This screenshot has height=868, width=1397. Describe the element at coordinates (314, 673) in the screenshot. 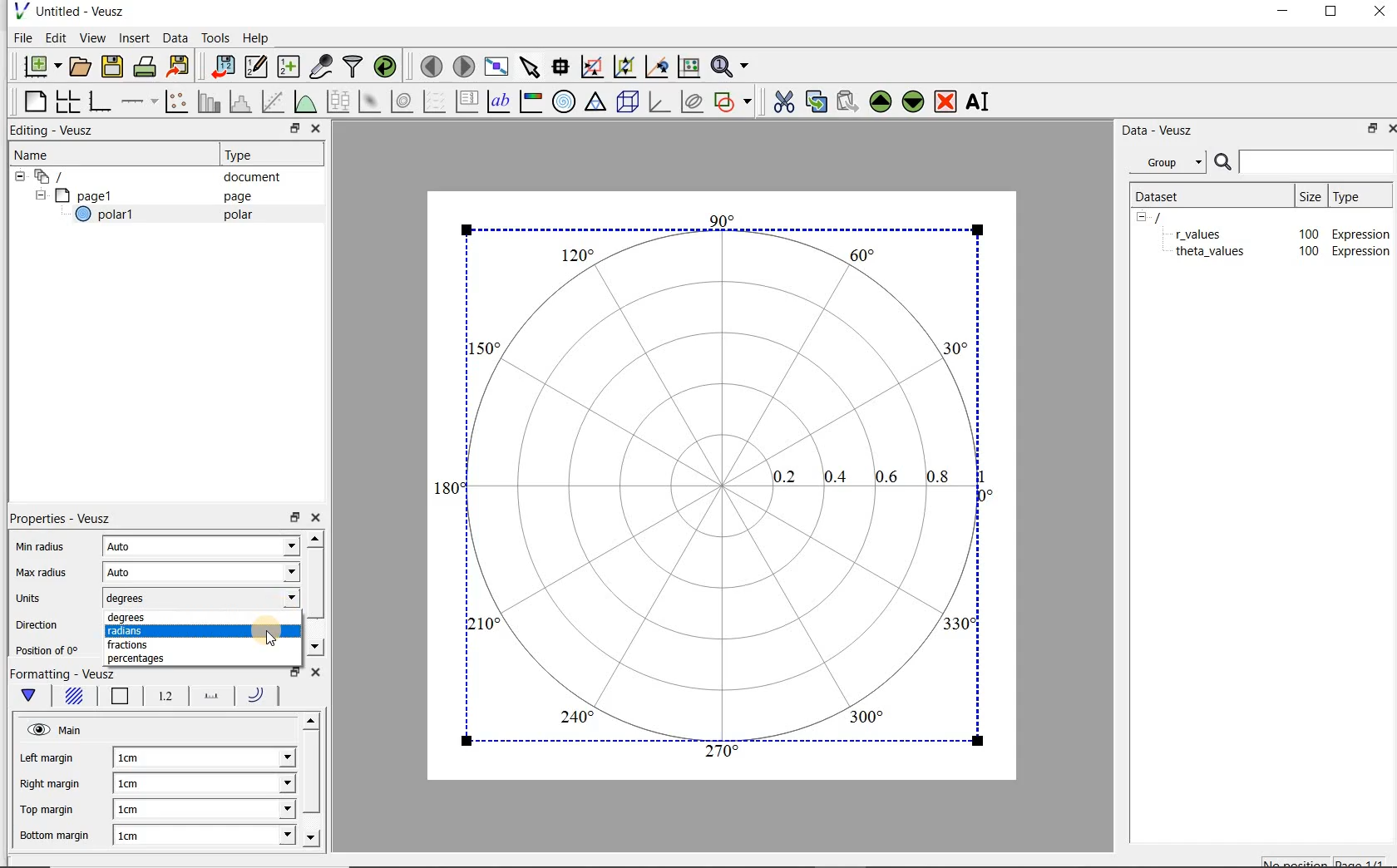

I see `close` at that location.